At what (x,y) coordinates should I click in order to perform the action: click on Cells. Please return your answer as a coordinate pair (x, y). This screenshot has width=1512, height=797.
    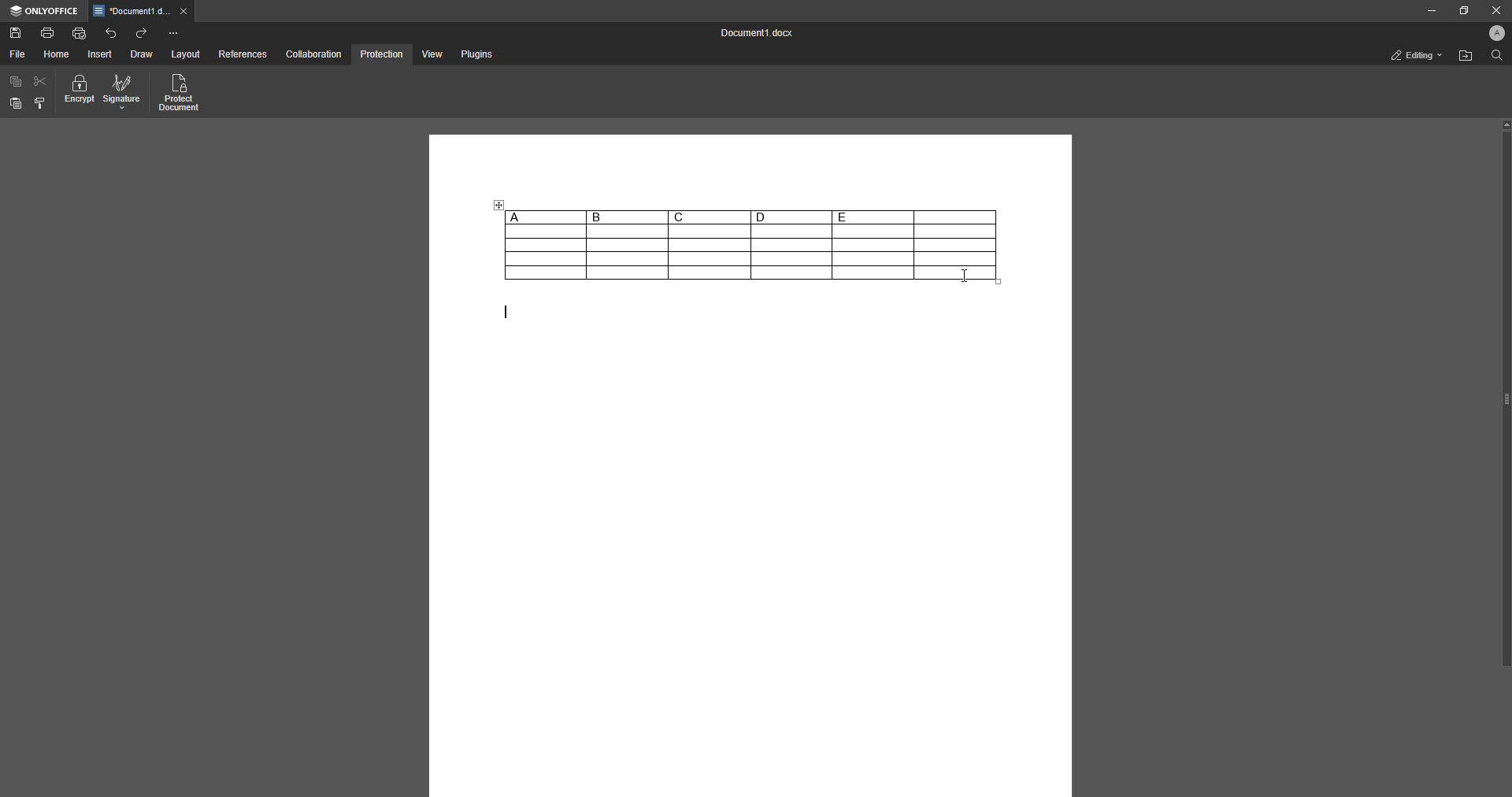
    Looking at the image, I should click on (702, 254).